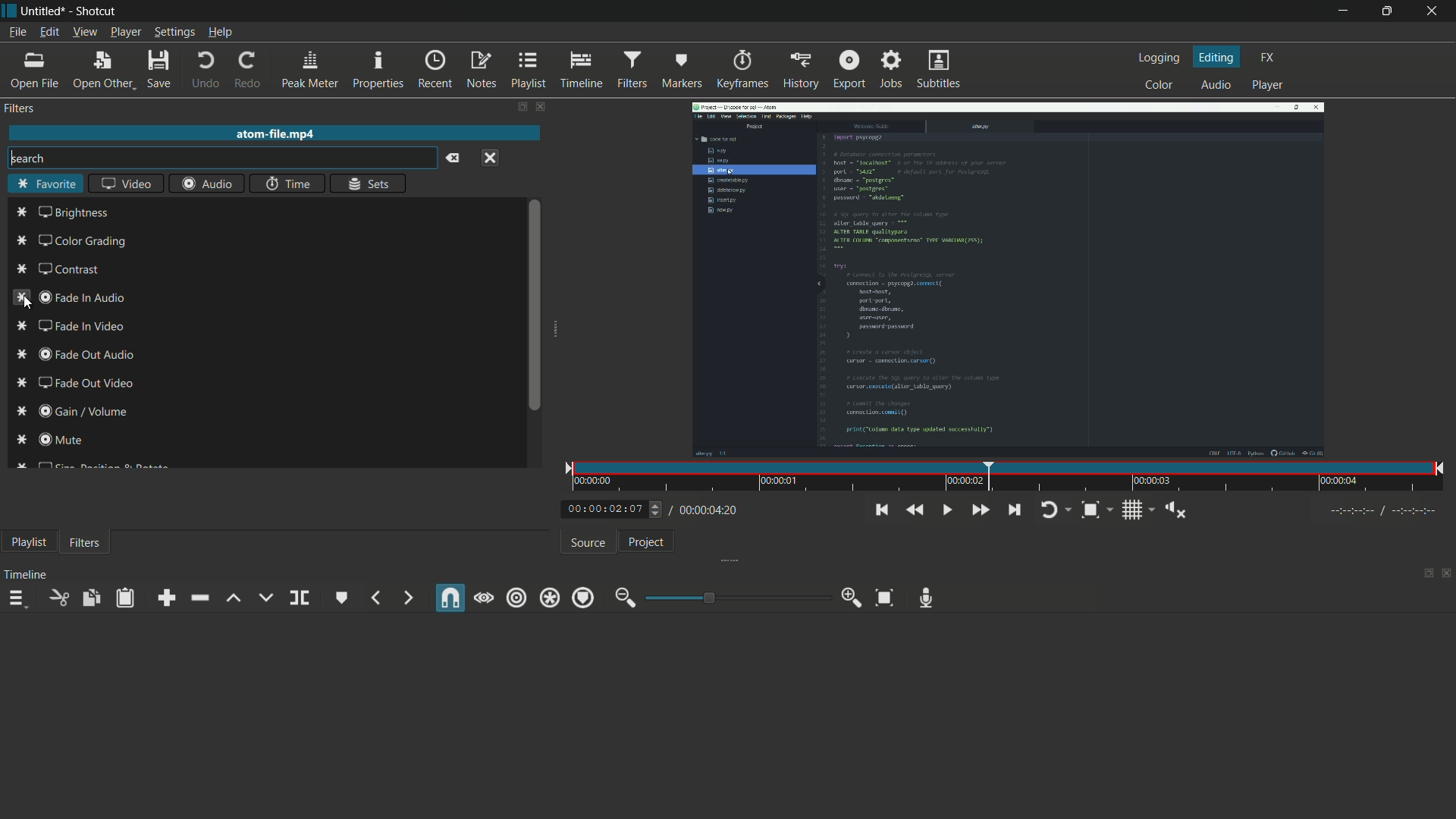  What do you see at coordinates (647, 542) in the screenshot?
I see `project` at bounding box center [647, 542].